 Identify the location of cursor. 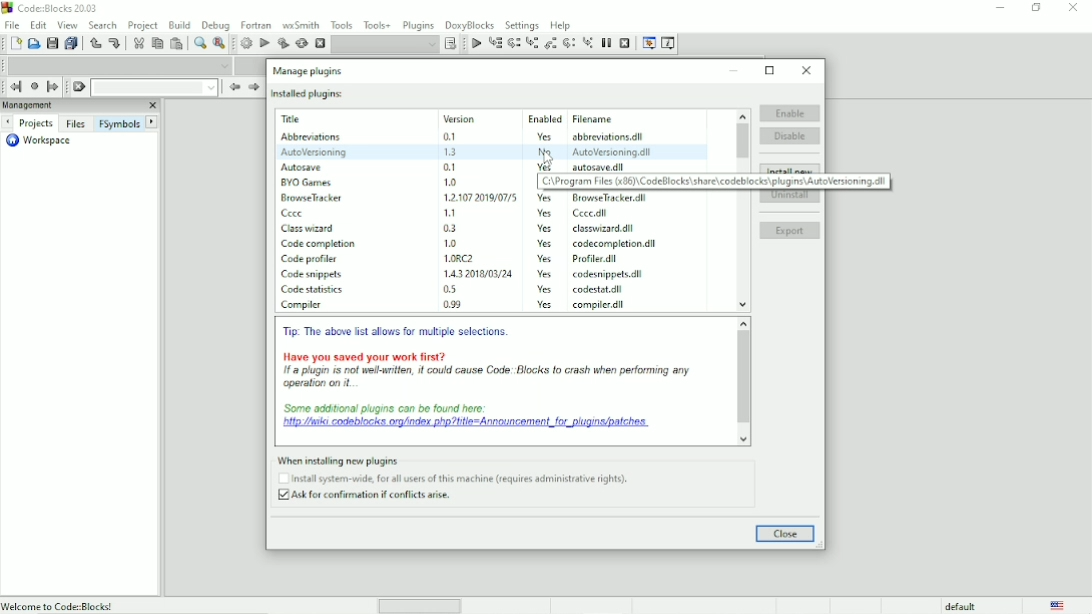
(550, 157).